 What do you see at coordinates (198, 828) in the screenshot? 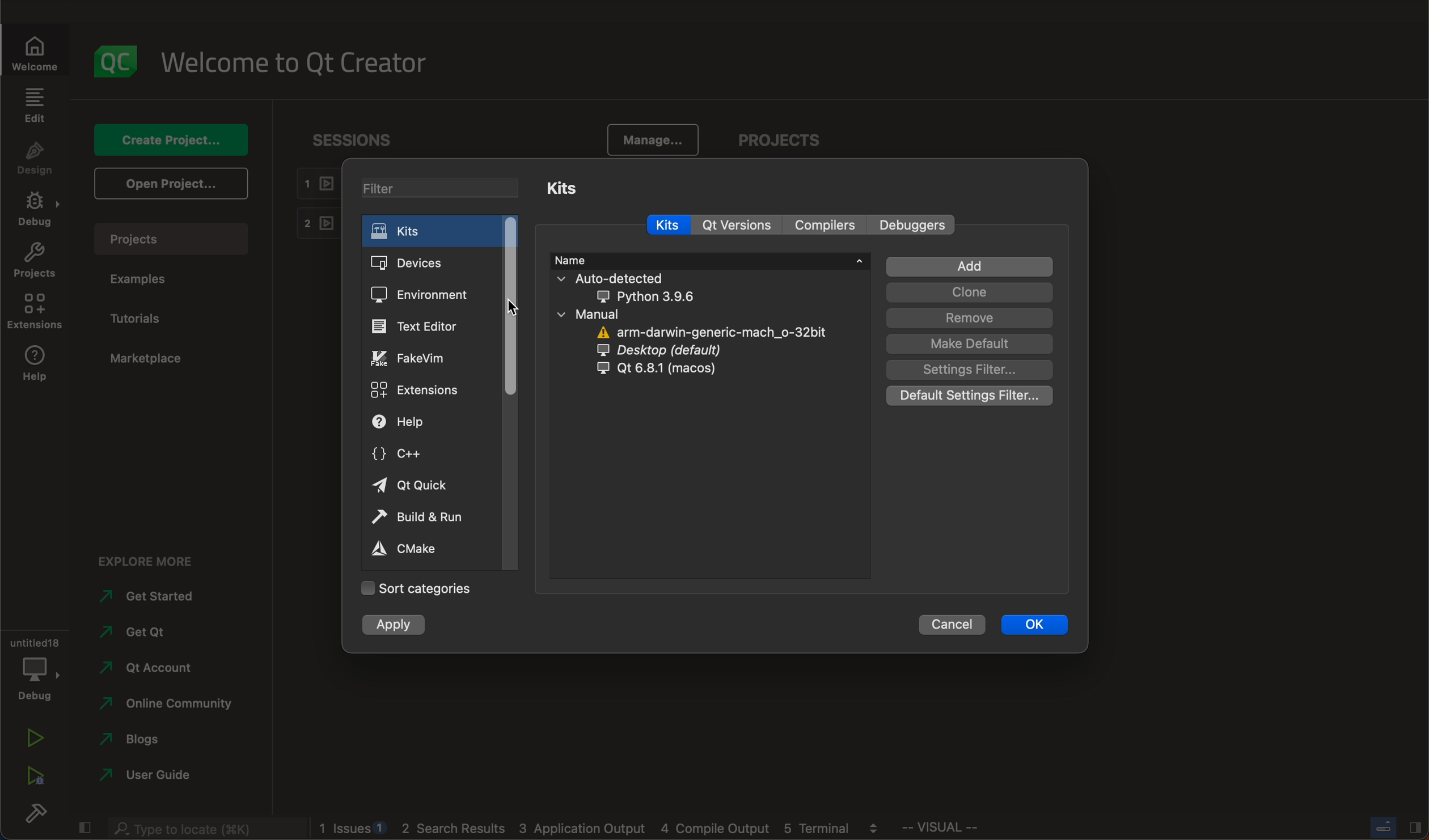
I see `search bar` at bounding box center [198, 828].